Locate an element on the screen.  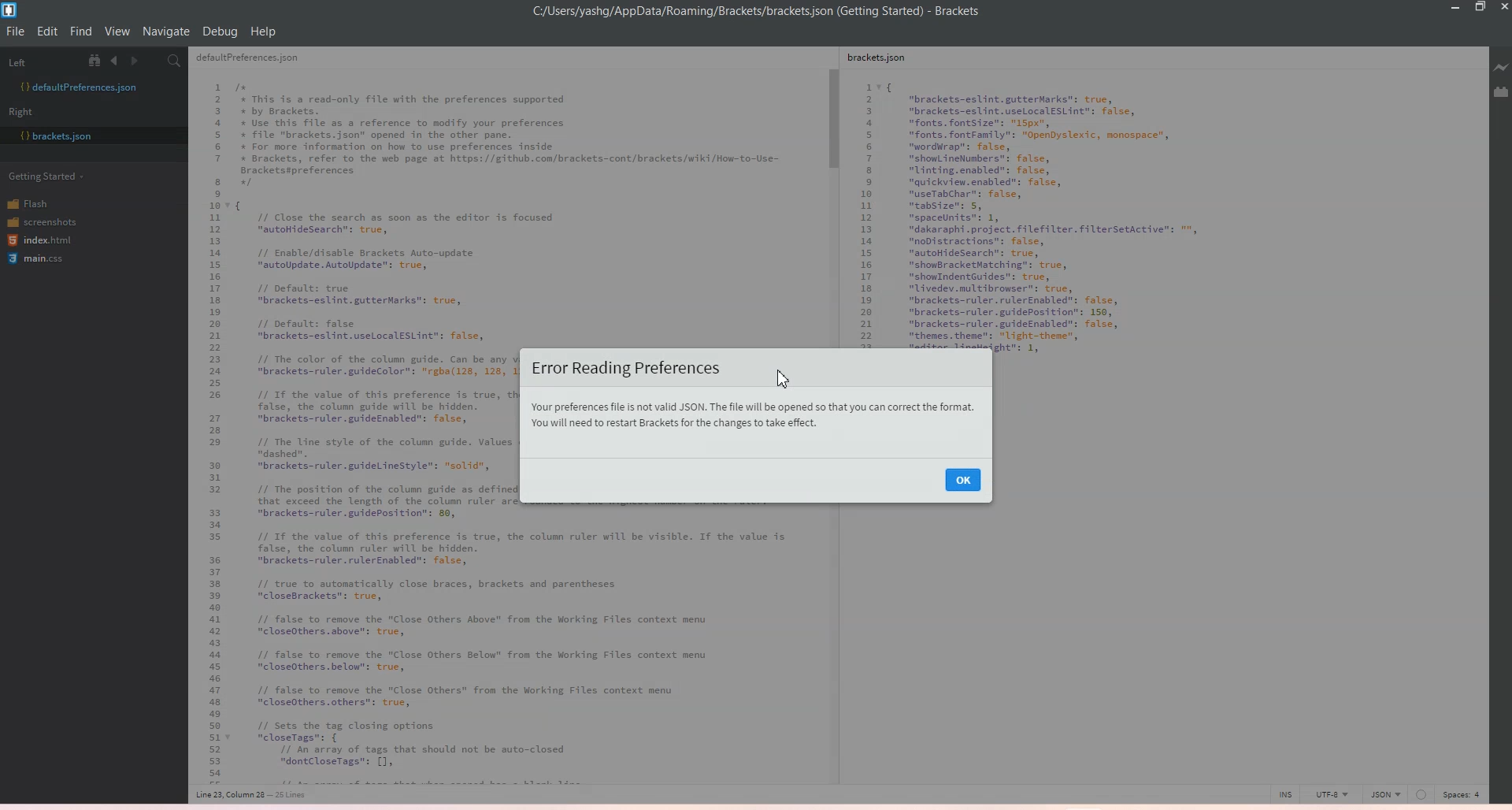
defaultPreferences.json

I”

* This is a read-only file with the preferences supported

* by Brackets.

* Use this file as a reference to modify your preferences

* file "brackets.json" opened in the other pane.

* For more information on how to use preferences inside

* Brackets, refer to the web page at https://github.com/brackets-cont/brackets/wiki/How-to-Us

*

vi

// Close the search as soon as the editor is focused
“autoHideSearch”: true,
// Enable/disable Brackets Auto-update
“autoUpdate. AutoUpdate”: true,
// Default: true
“brackets-eslint.gutterMarks”: true,
// Default: false
“brackets-eslint.uselocalESLint": false,
// The color of the column guide. Can be any valid CSS Color value.
“brackets-ruler.guideColor”: "rgba(128, 128, 128, 0.5)",
// Tf the value of this preference is true, the column guide will be visible. Tf the val.
“brackets-ruler.guideEnabled”: false,
// The line style of the column guide. Values can be one of the following: "solid", "dott
“brackets-ruler.guidelineStyle": "solid",
// The position of the column guide as defined by a column number that is zero or greater
“brackets-ruler.guidePosition”: 80,
// Tf the value of this preference is true, the column ruler will be visible. Tf the val.
“brackets-ruler.rulerEnabled”: false,
// true to automatically close braces, brackets and parentheses
“closeBrackets”: true,
// false to remove the "Close Others Above” from the Working Files context menu
“closeOthers.above”: true,
// false to remove the "Close Others Below” from the Working Files context menu
“closeOthers.below": true,
// false to remove the "Close Others” from the Working Files context menu
“closeOthers.others”: true, is located at coordinates (354, 421).